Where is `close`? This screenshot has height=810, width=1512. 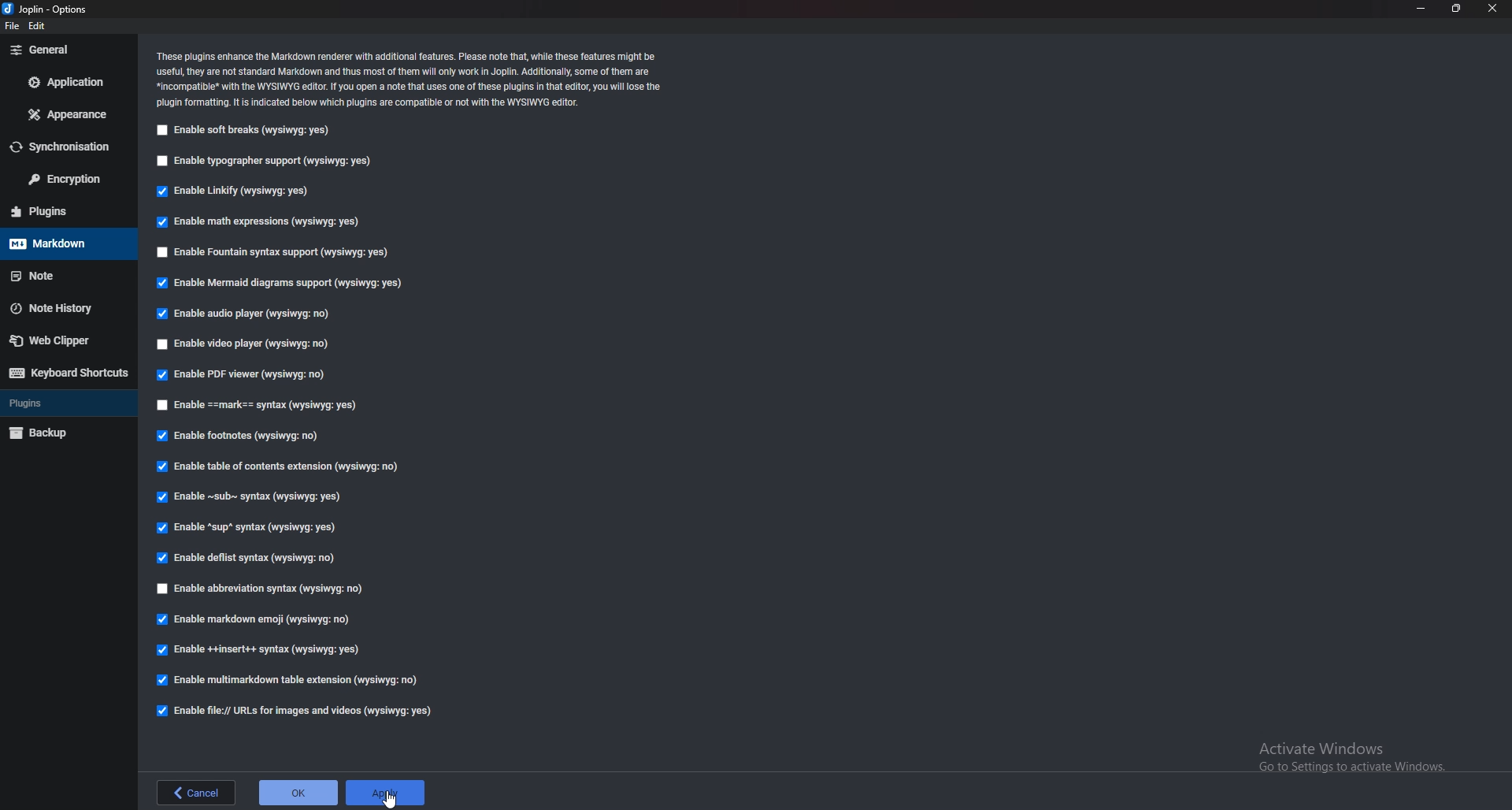
close is located at coordinates (1493, 9).